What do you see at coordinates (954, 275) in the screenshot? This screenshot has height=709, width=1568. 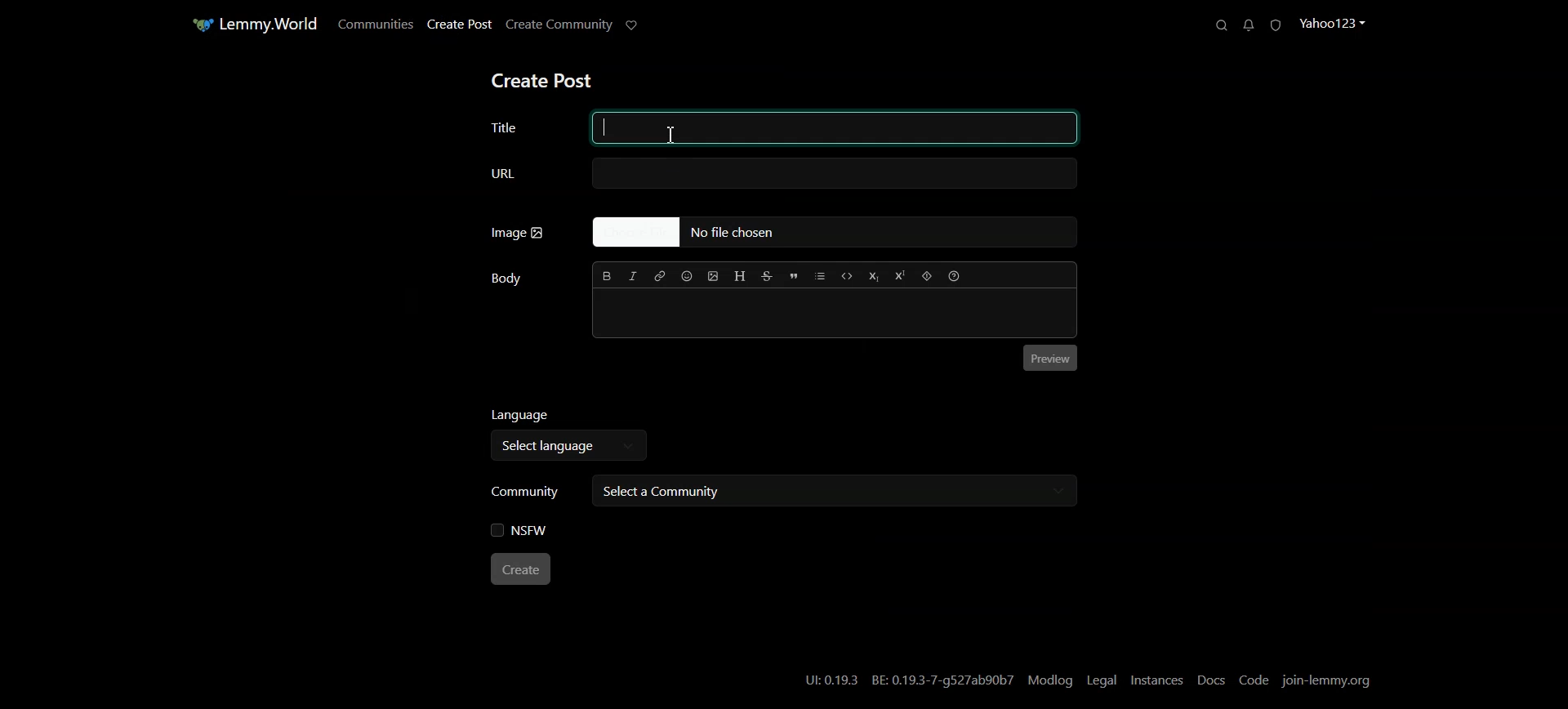 I see `Formatting help` at bounding box center [954, 275].